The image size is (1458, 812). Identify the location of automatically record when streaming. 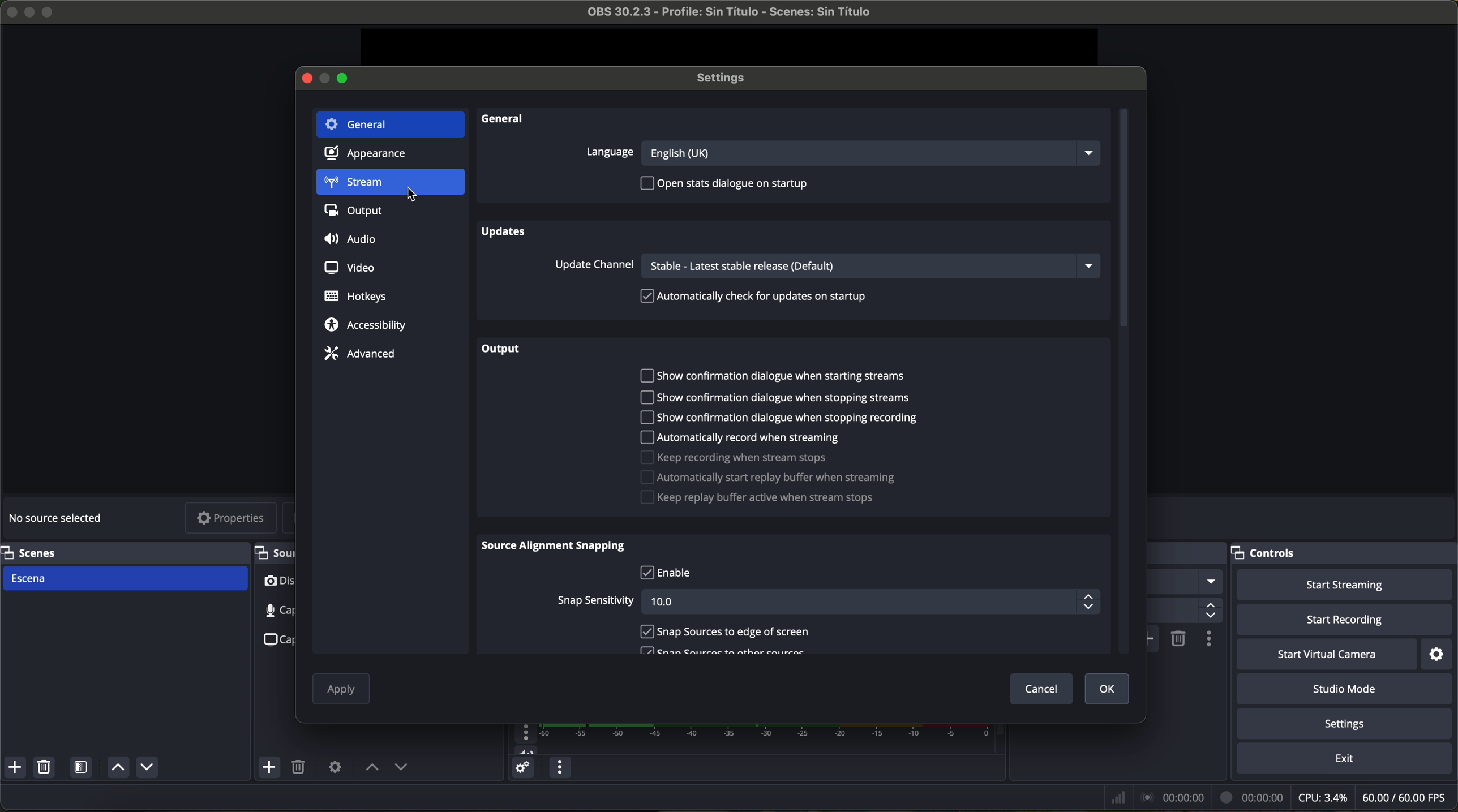
(743, 438).